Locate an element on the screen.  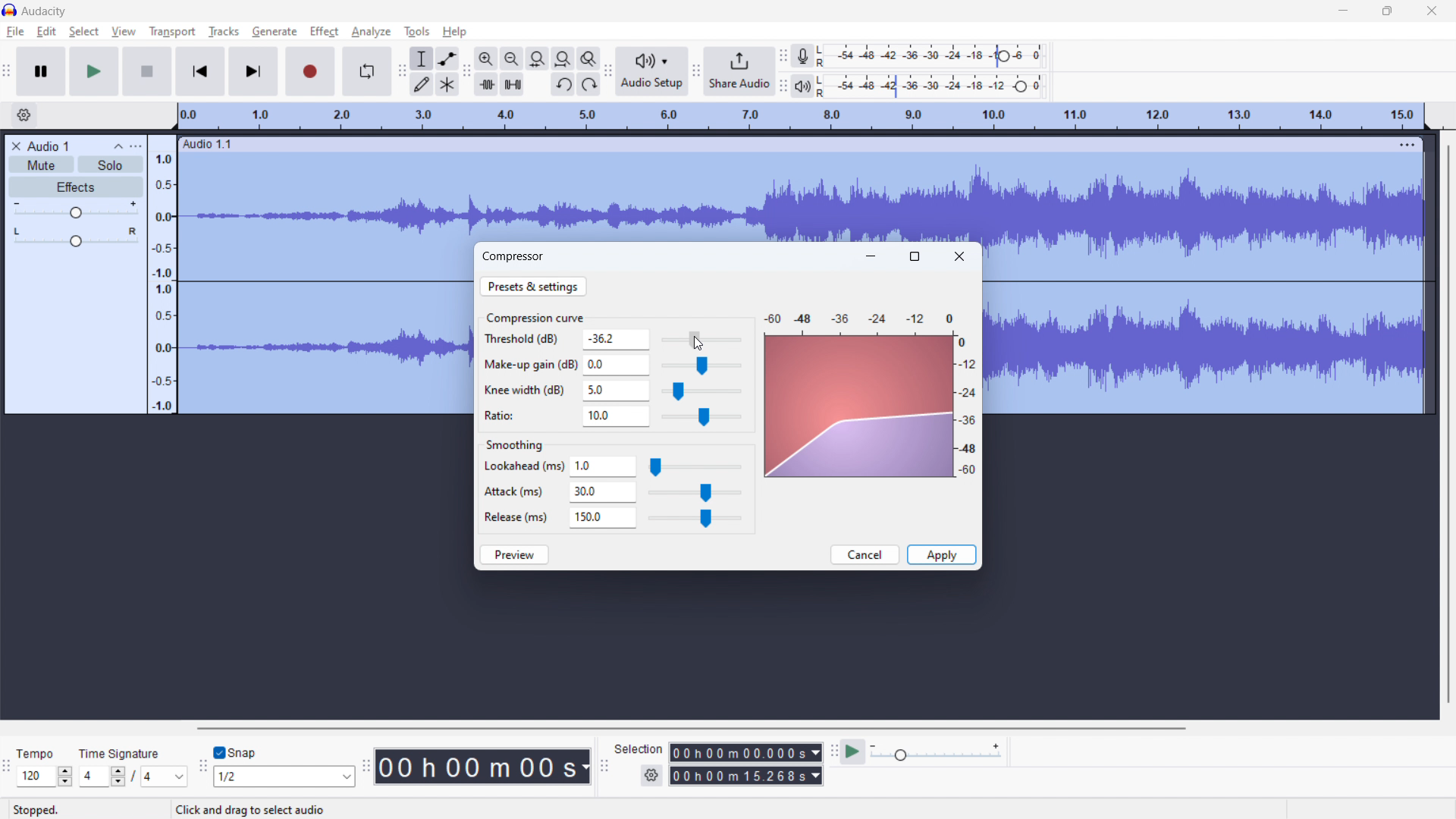
ratio slider is located at coordinates (701, 418).